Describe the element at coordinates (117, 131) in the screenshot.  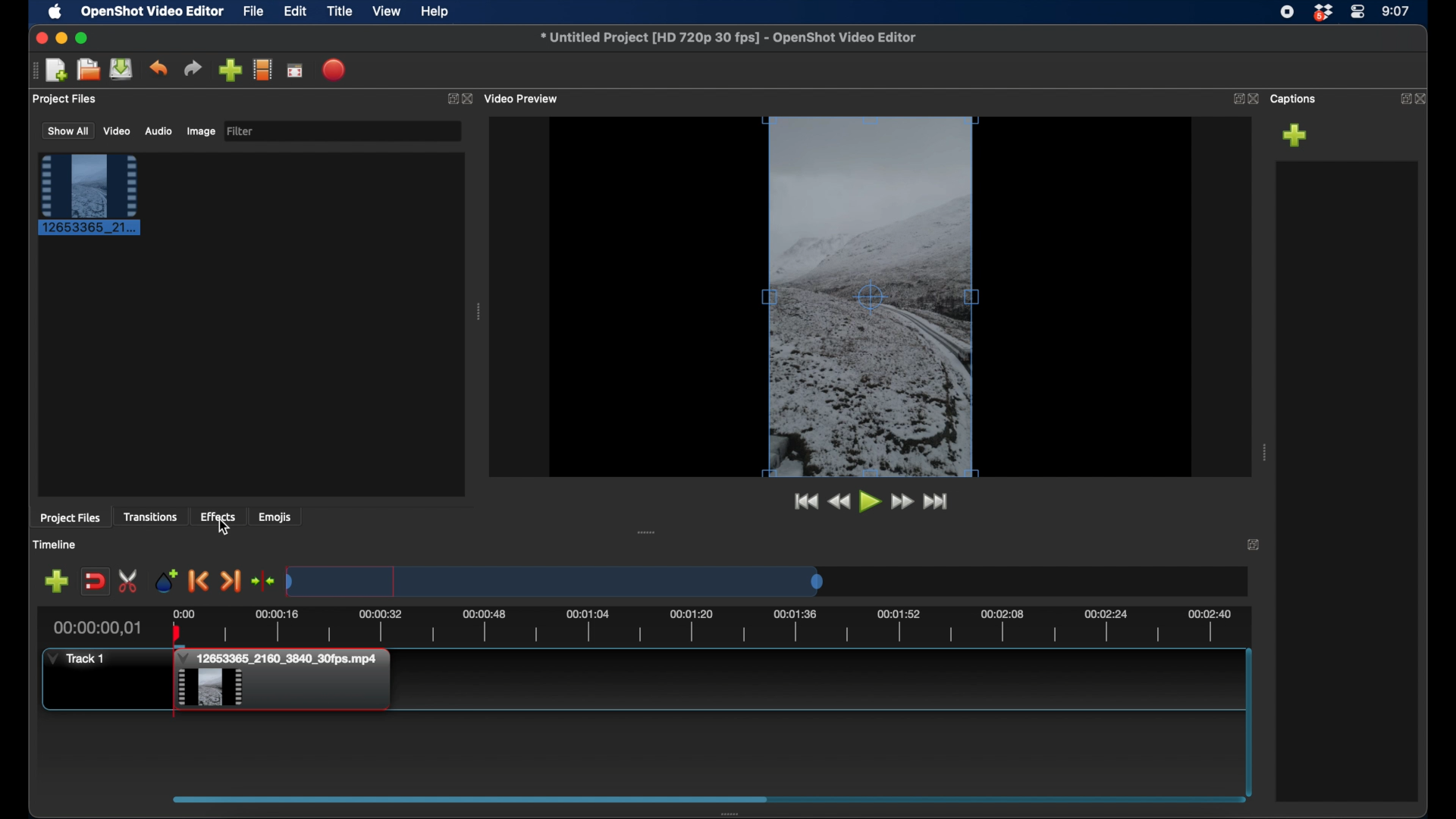
I see `video` at that location.